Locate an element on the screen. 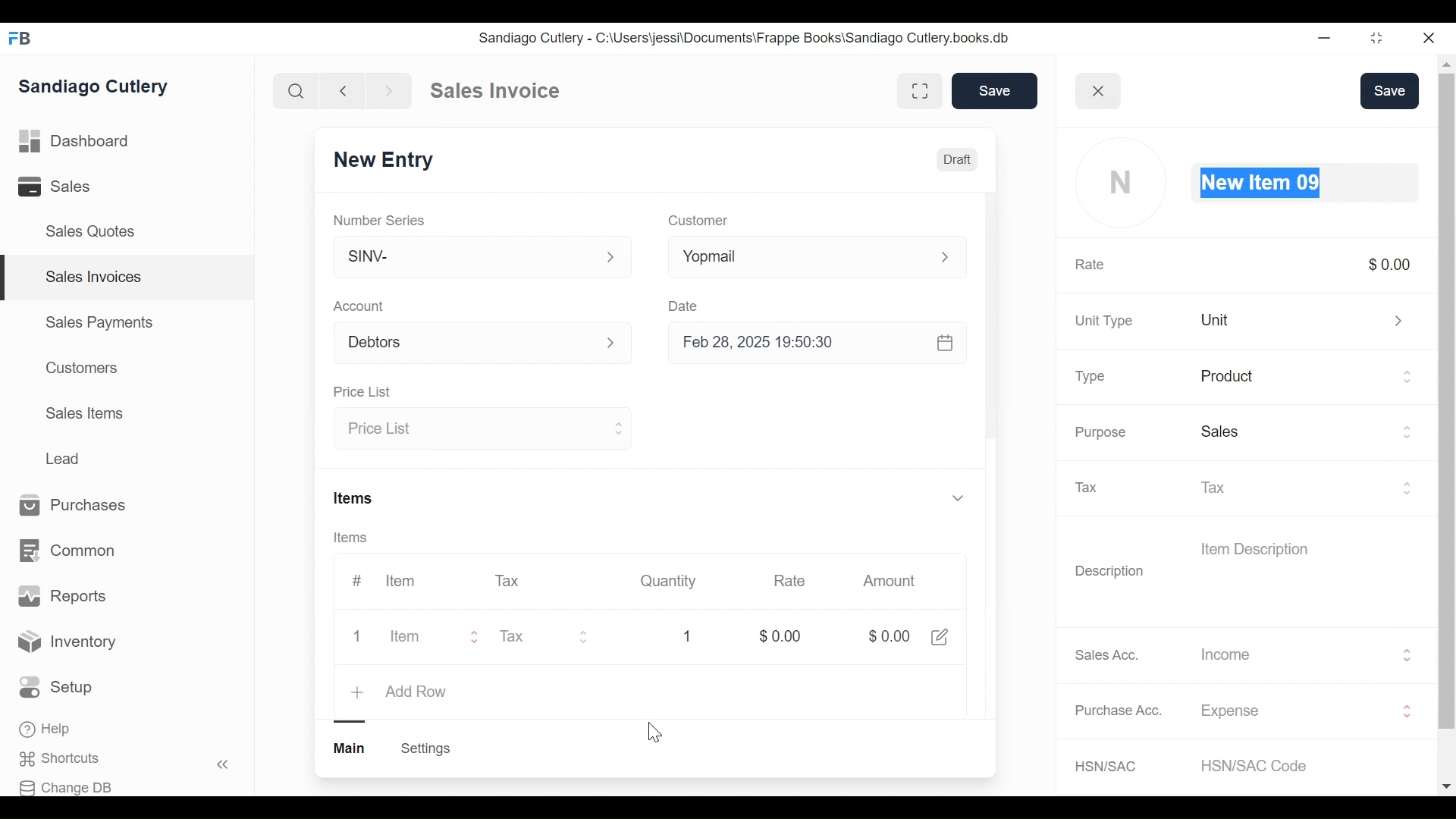 This screenshot has width=1456, height=819. Quantity is located at coordinates (667, 581).